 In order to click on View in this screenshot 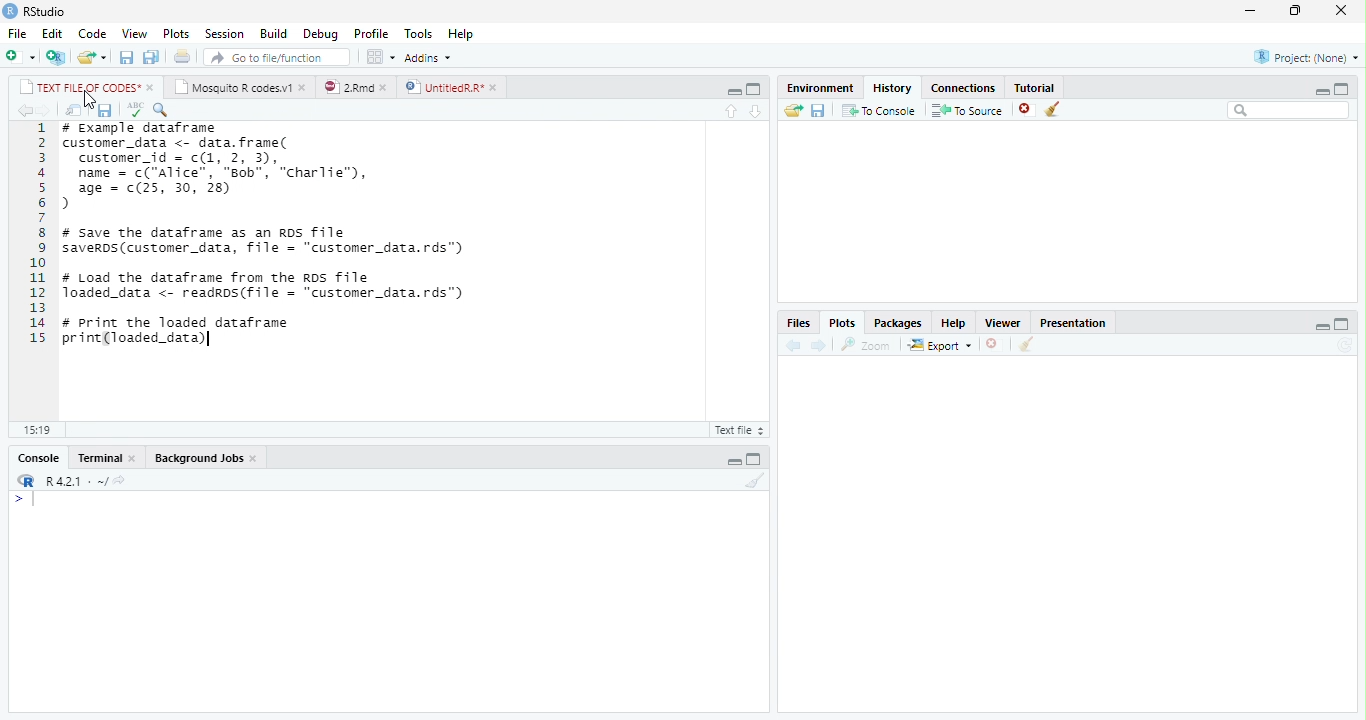, I will do `click(135, 33)`.